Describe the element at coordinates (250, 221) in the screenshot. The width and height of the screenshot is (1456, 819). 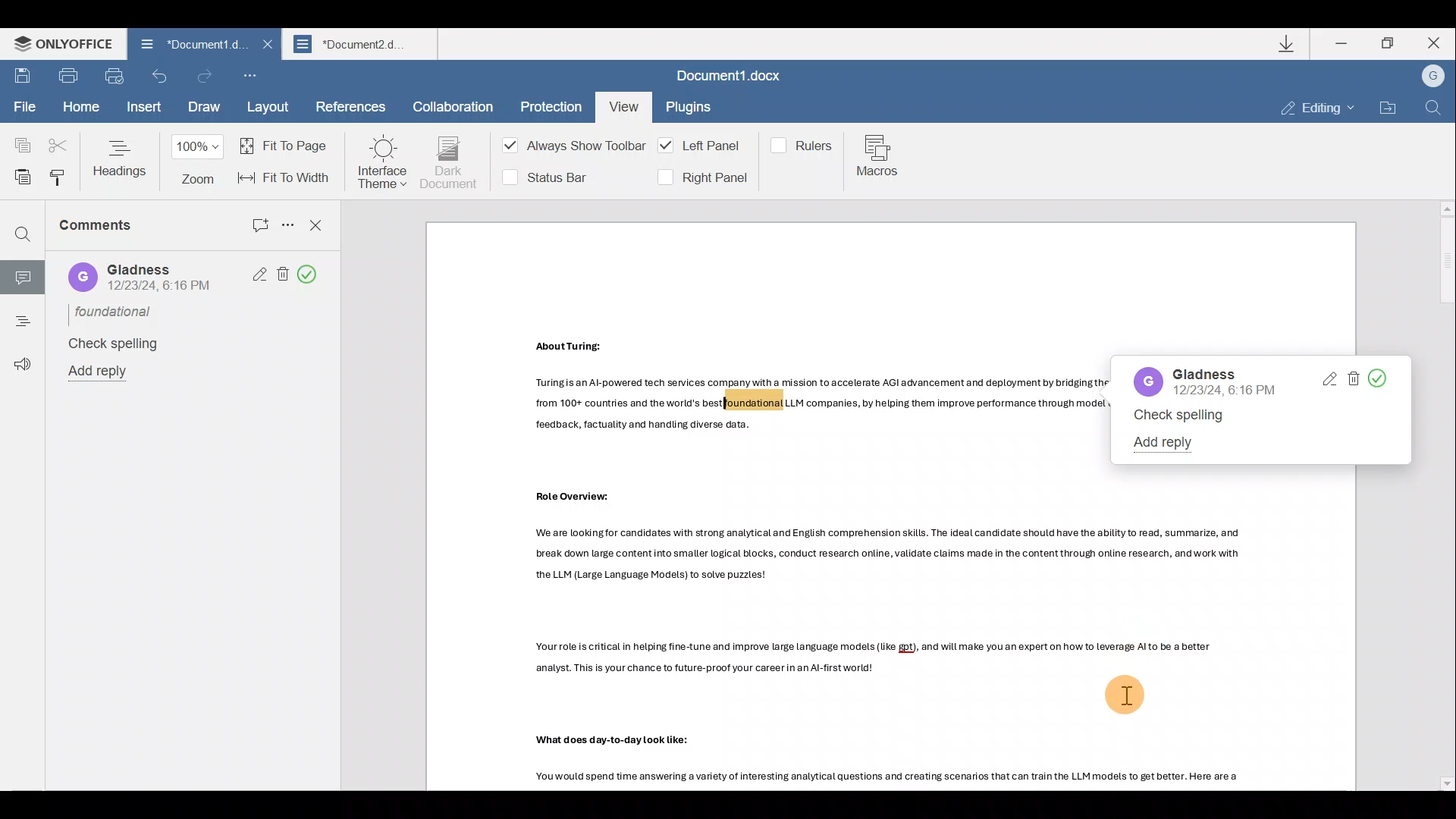
I see `Add comment` at that location.